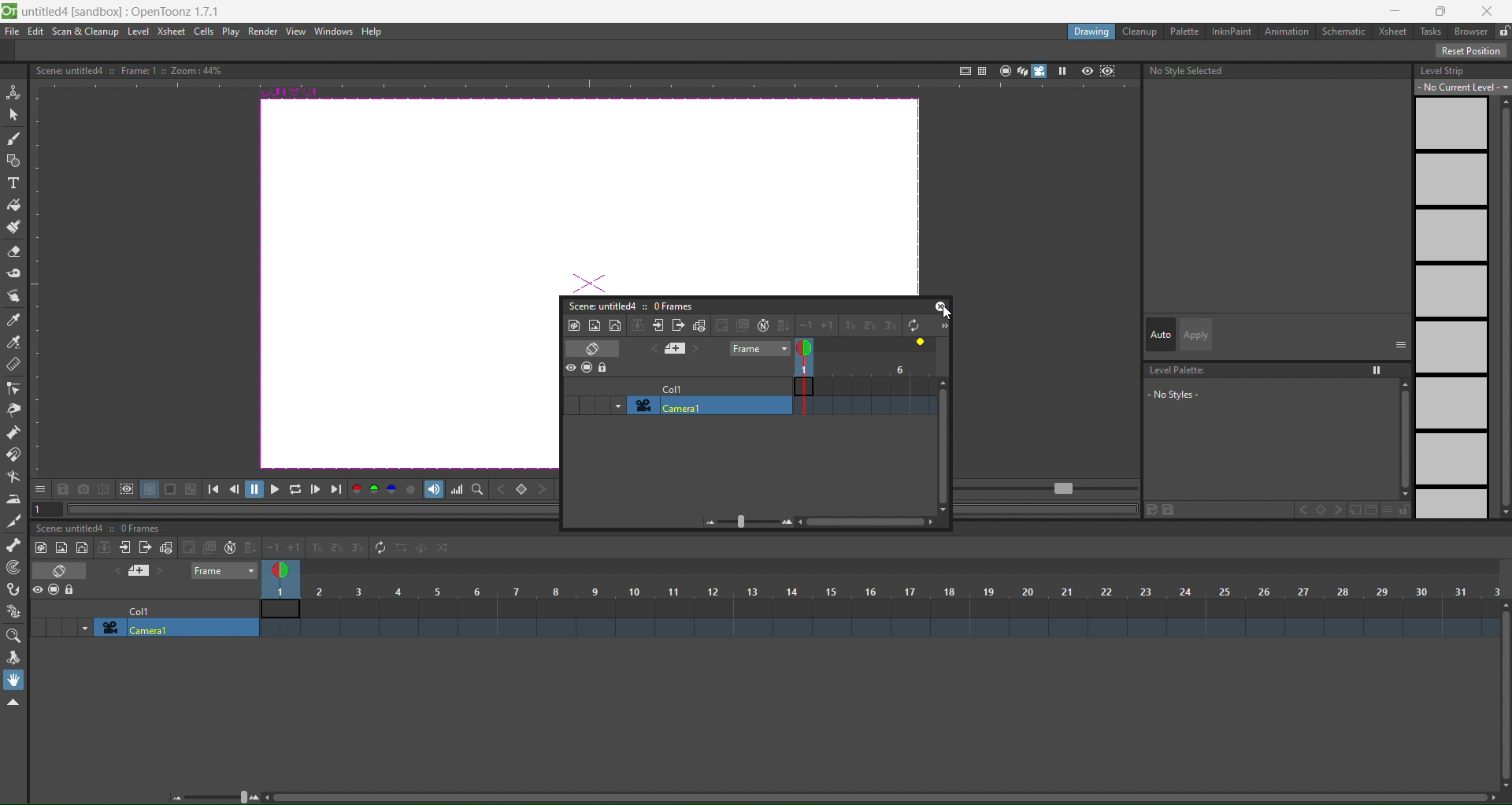  Describe the element at coordinates (1471, 32) in the screenshot. I see `browser` at that location.